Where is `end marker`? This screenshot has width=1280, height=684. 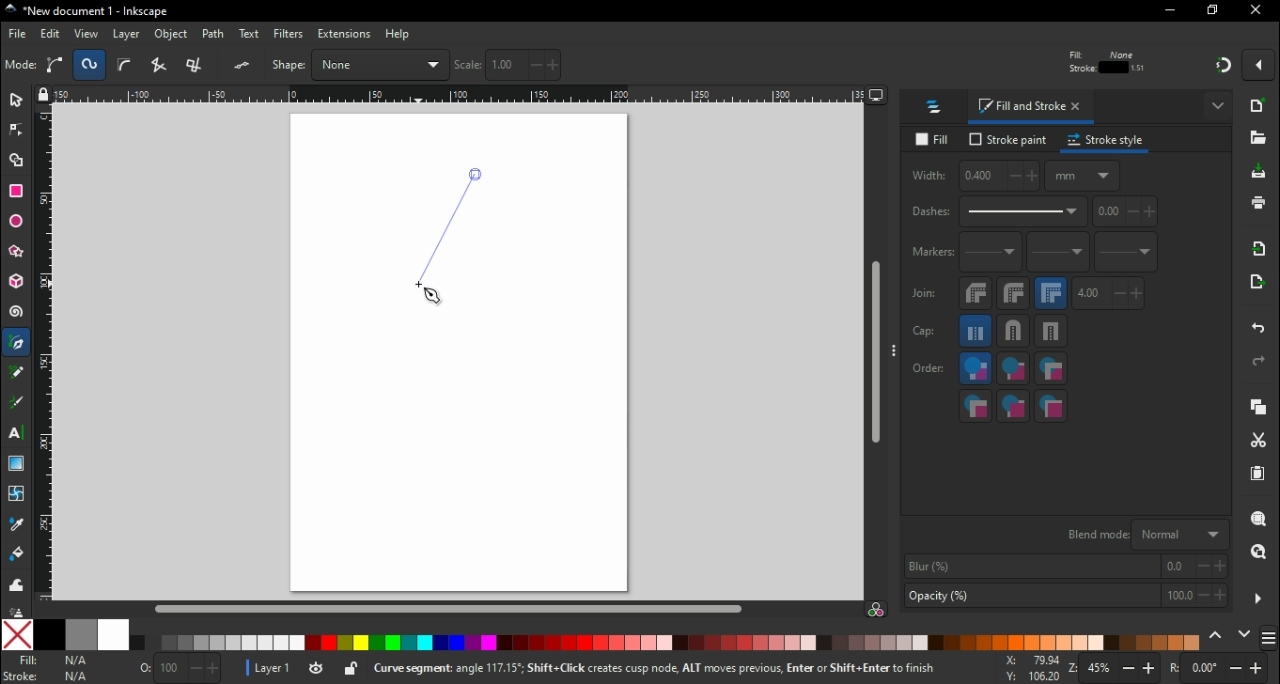
end marker is located at coordinates (1128, 256).